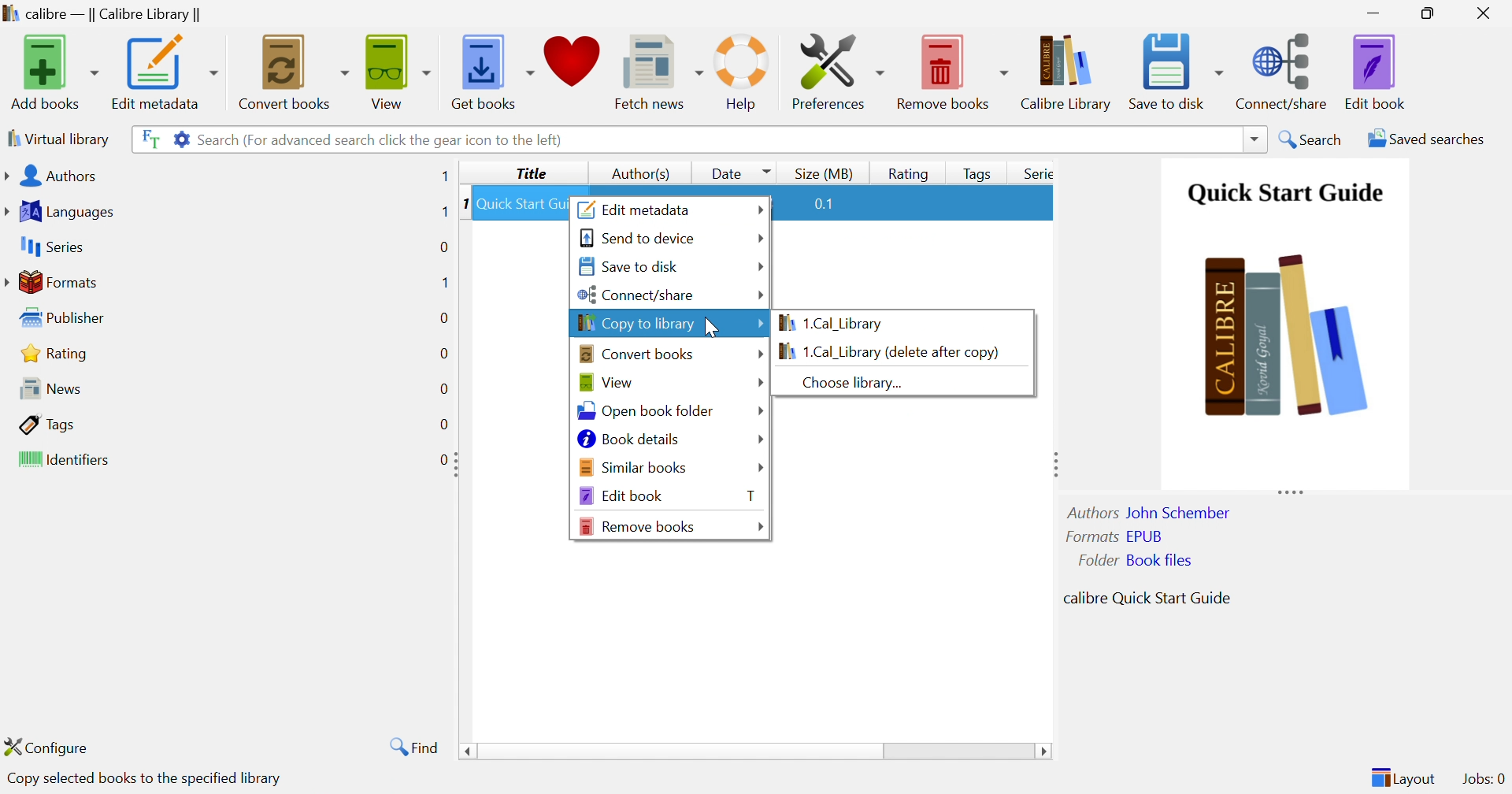 The image size is (1512, 794). What do you see at coordinates (655, 69) in the screenshot?
I see `Fetch news` at bounding box center [655, 69].